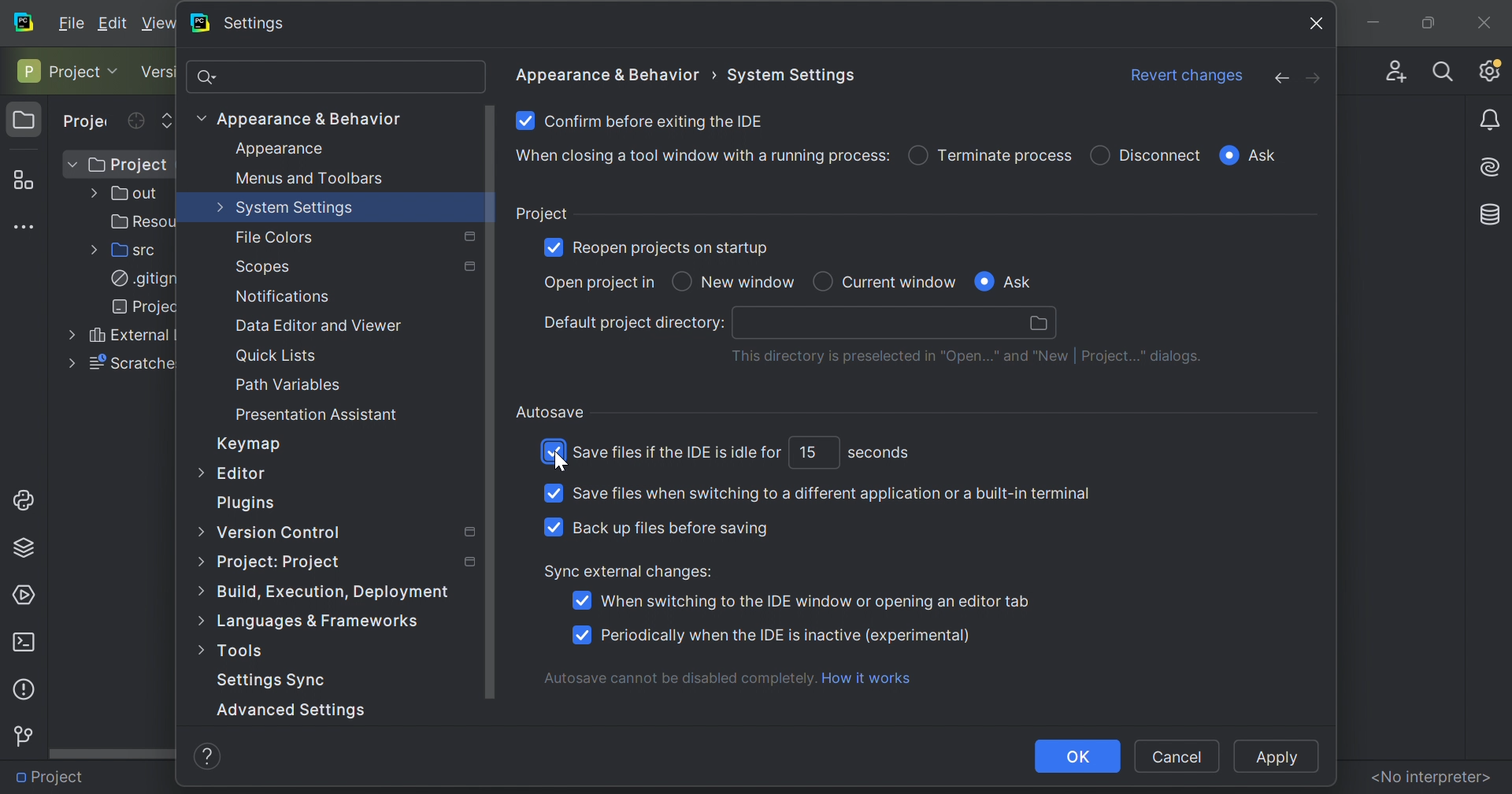 This screenshot has height=794, width=1512. Describe the element at coordinates (1370, 21) in the screenshot. I see `Minimize` at that location.